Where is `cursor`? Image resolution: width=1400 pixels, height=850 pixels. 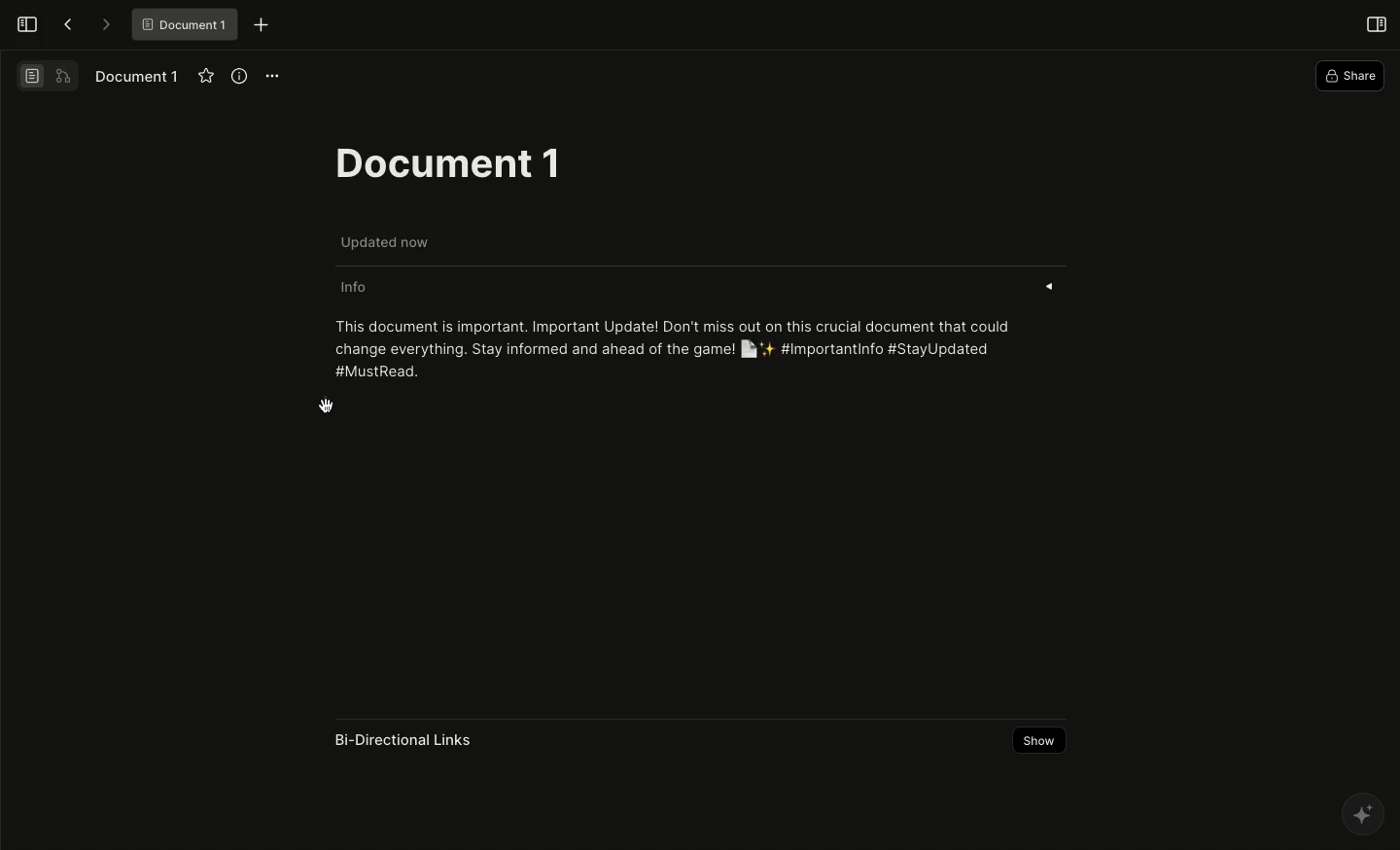
cursor is located at coordinates (329, 407).